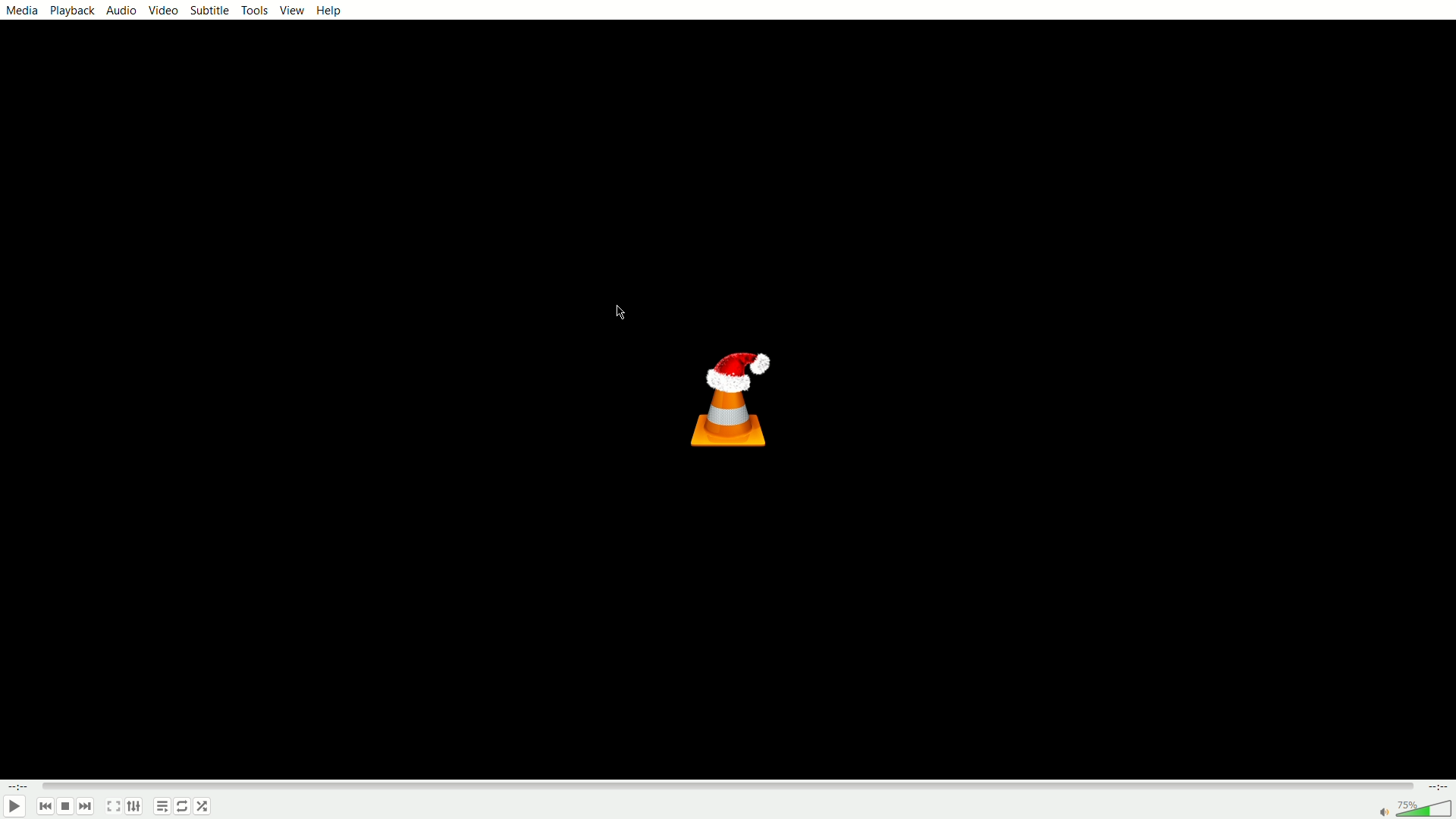 Image resolution: width=1456 pixels, height=819 pixels. What do you see at coordinates (111, 805) in the screenshot?
I see `full screen` at bounding box center [111, 805].